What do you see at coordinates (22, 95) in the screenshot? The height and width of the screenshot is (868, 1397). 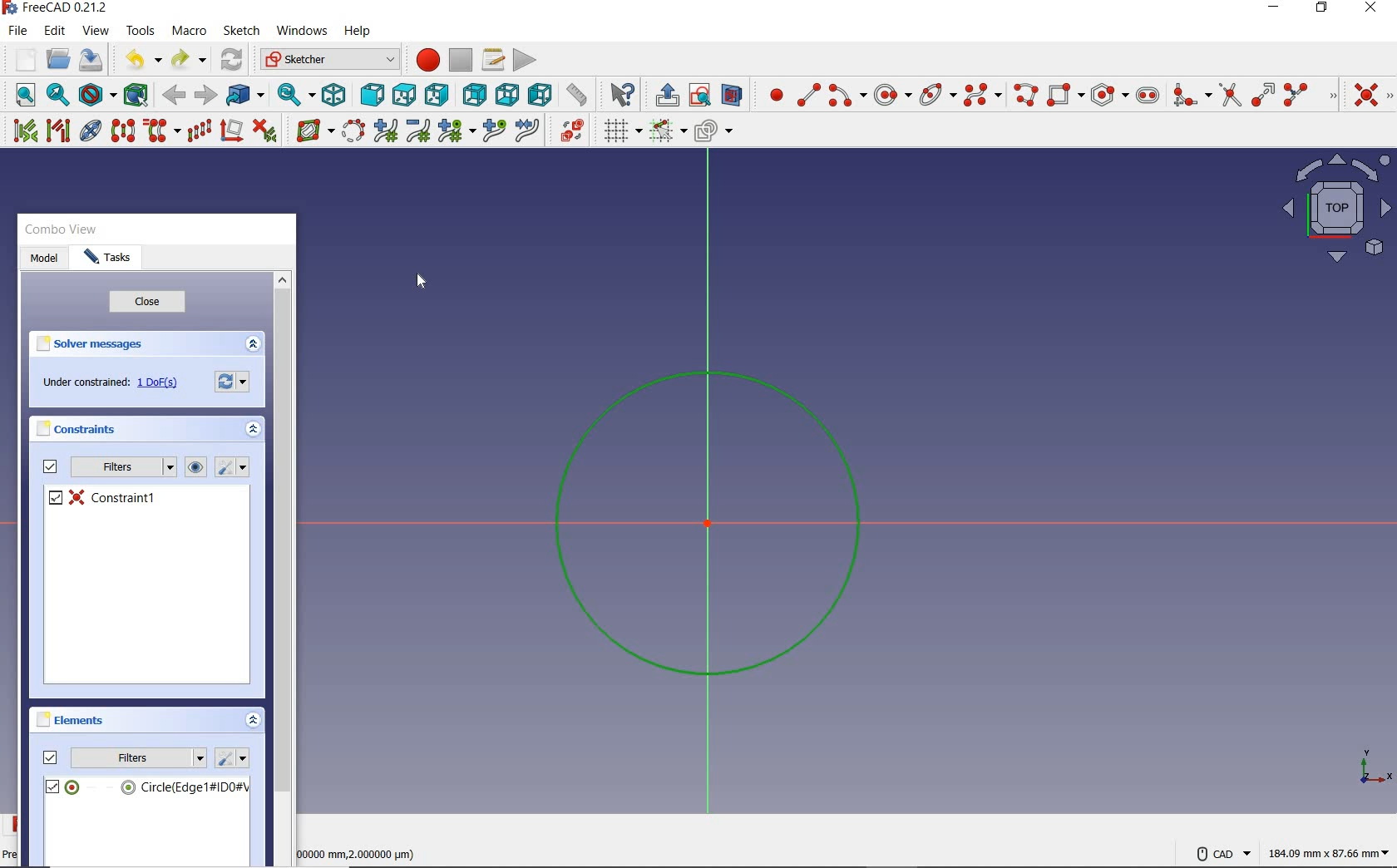 I see `fit all` at bounding box center [22, 95].